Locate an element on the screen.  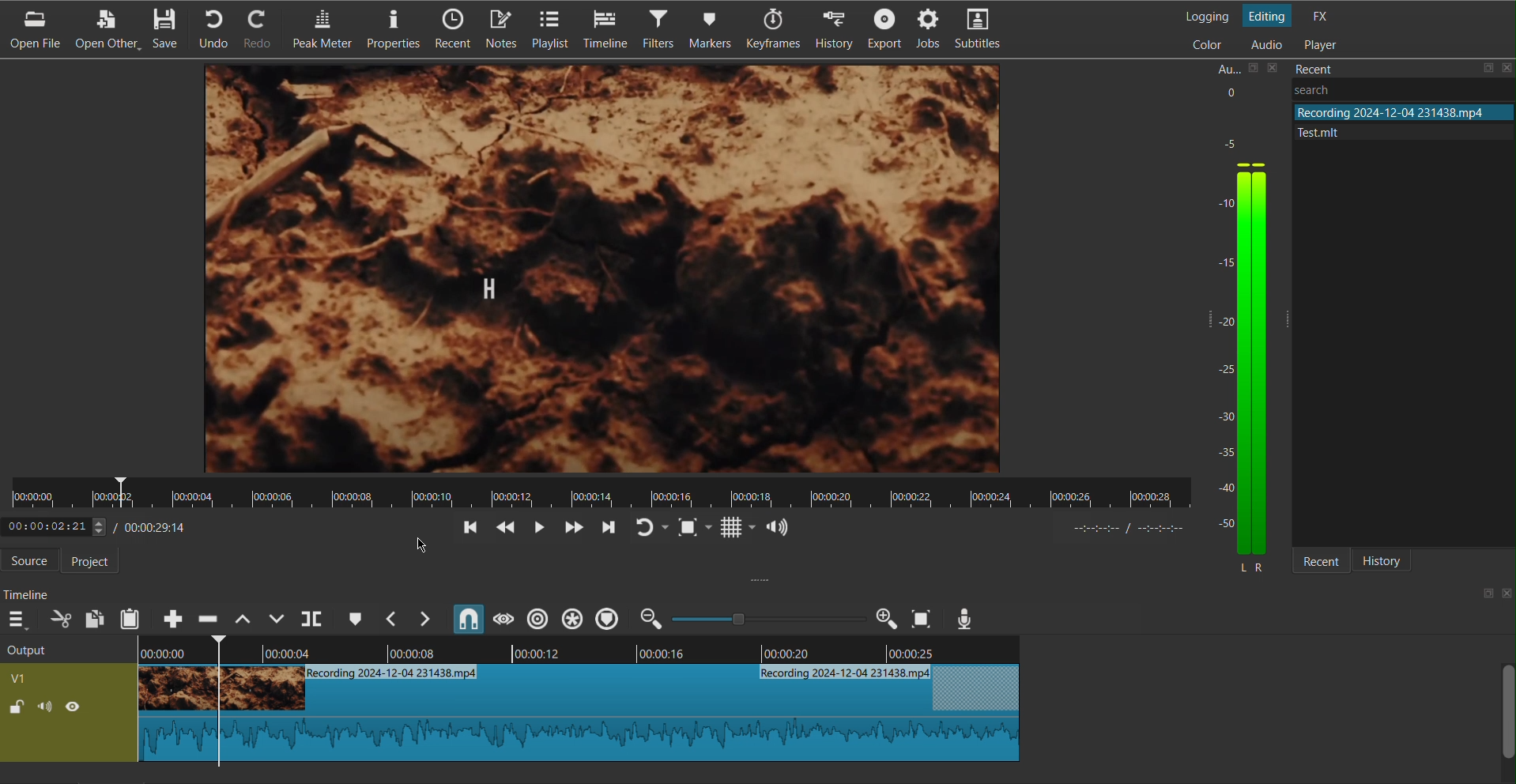
Recent is located at coordinates (451, 30).